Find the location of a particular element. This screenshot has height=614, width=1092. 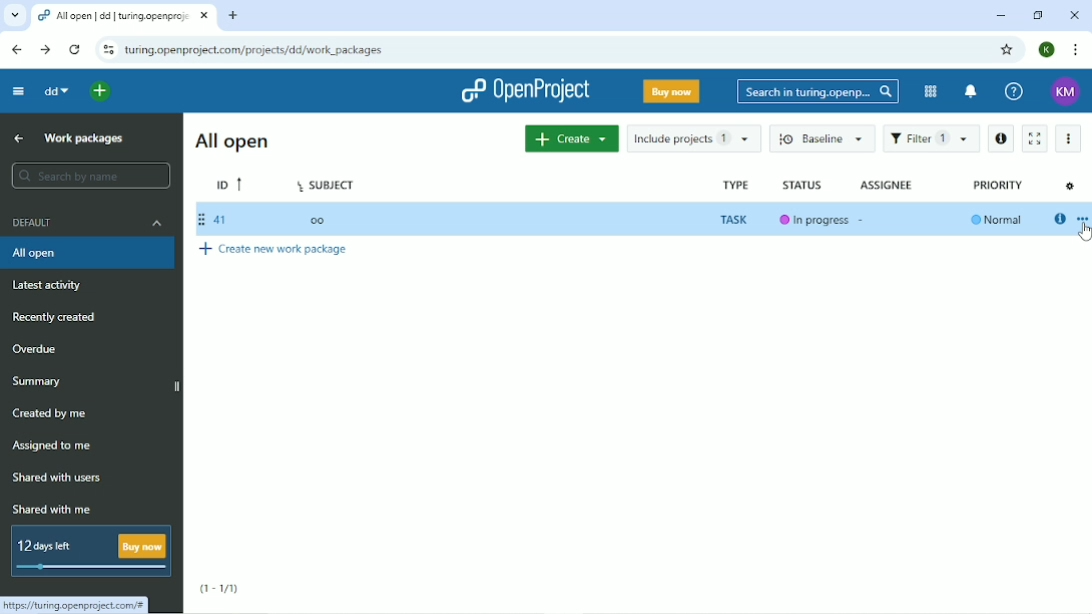

Summary is located at coordinates (40, 381).